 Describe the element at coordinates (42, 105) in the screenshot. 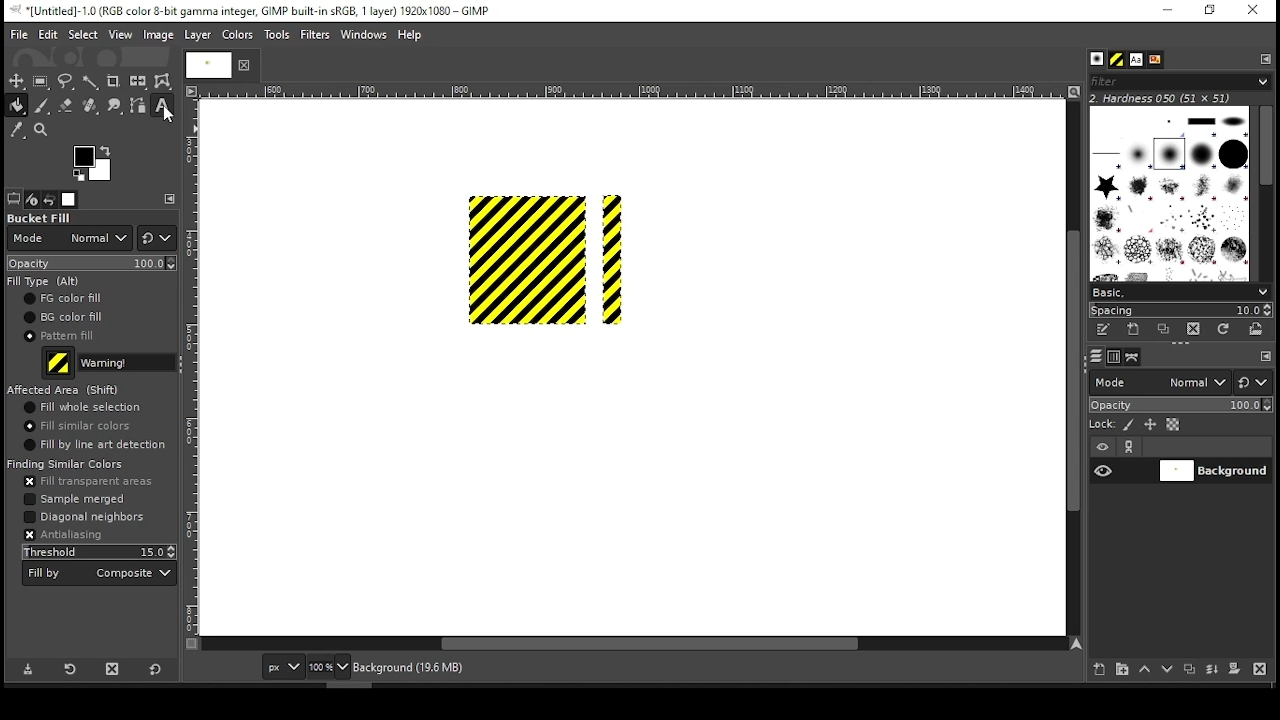

I see `paint brush tool` at that location.